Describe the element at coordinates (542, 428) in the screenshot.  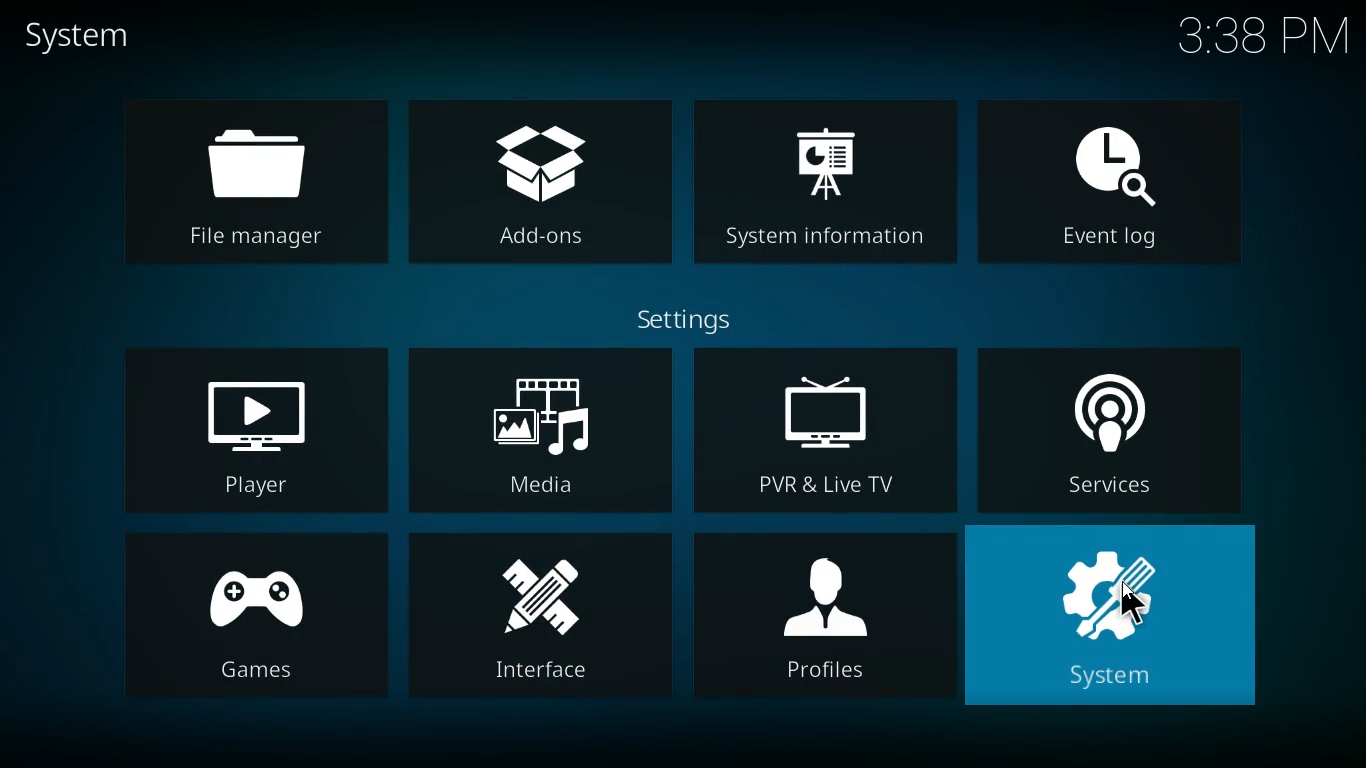
I see `media` at that location.